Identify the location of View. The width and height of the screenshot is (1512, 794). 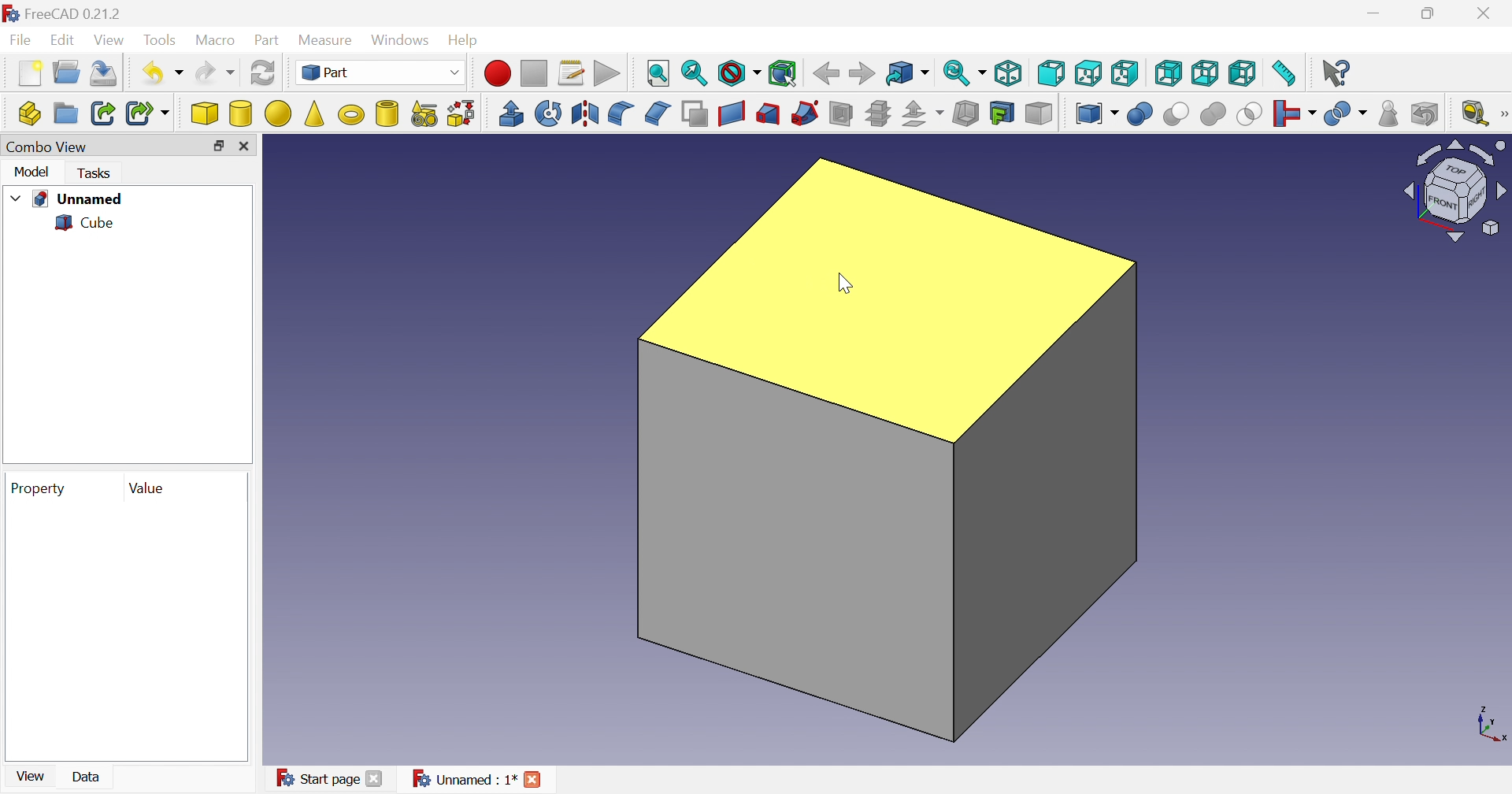
(31, 776).